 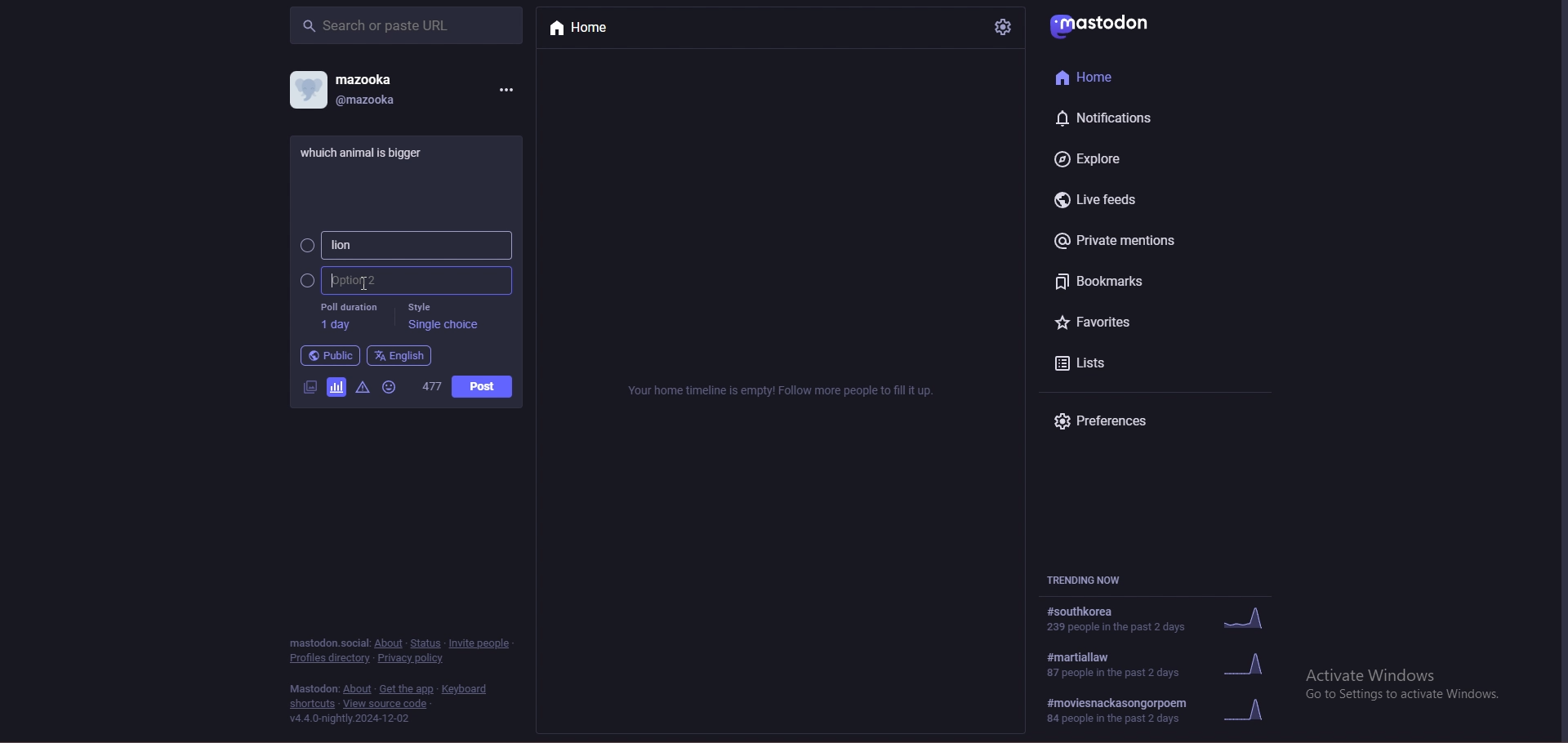 What do you see at coordinates (442, 315) in the screenshot?
I see `style` at bounding box center [442, 315].